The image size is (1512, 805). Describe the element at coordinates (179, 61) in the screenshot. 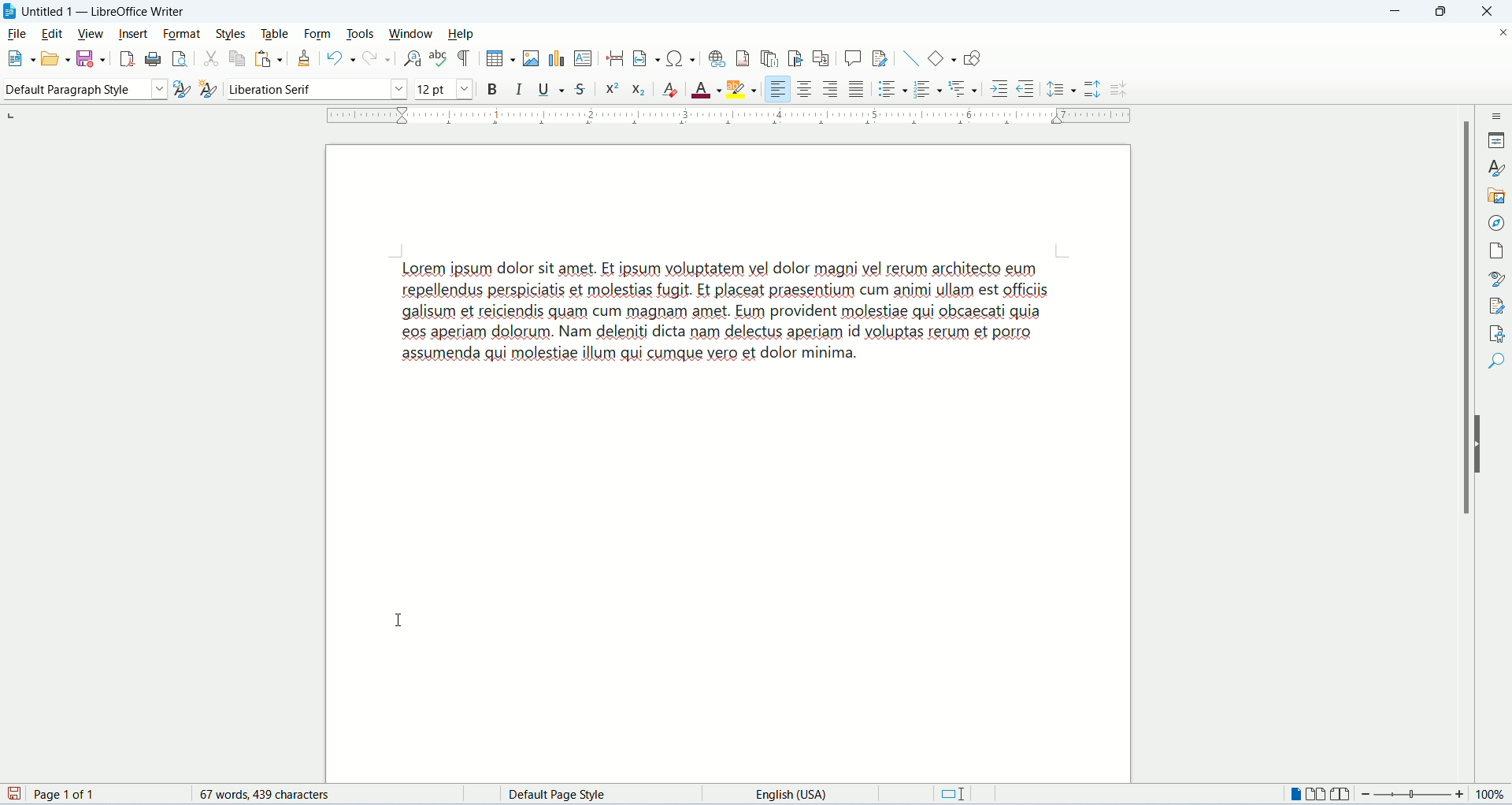

I see `print preview` at that location.